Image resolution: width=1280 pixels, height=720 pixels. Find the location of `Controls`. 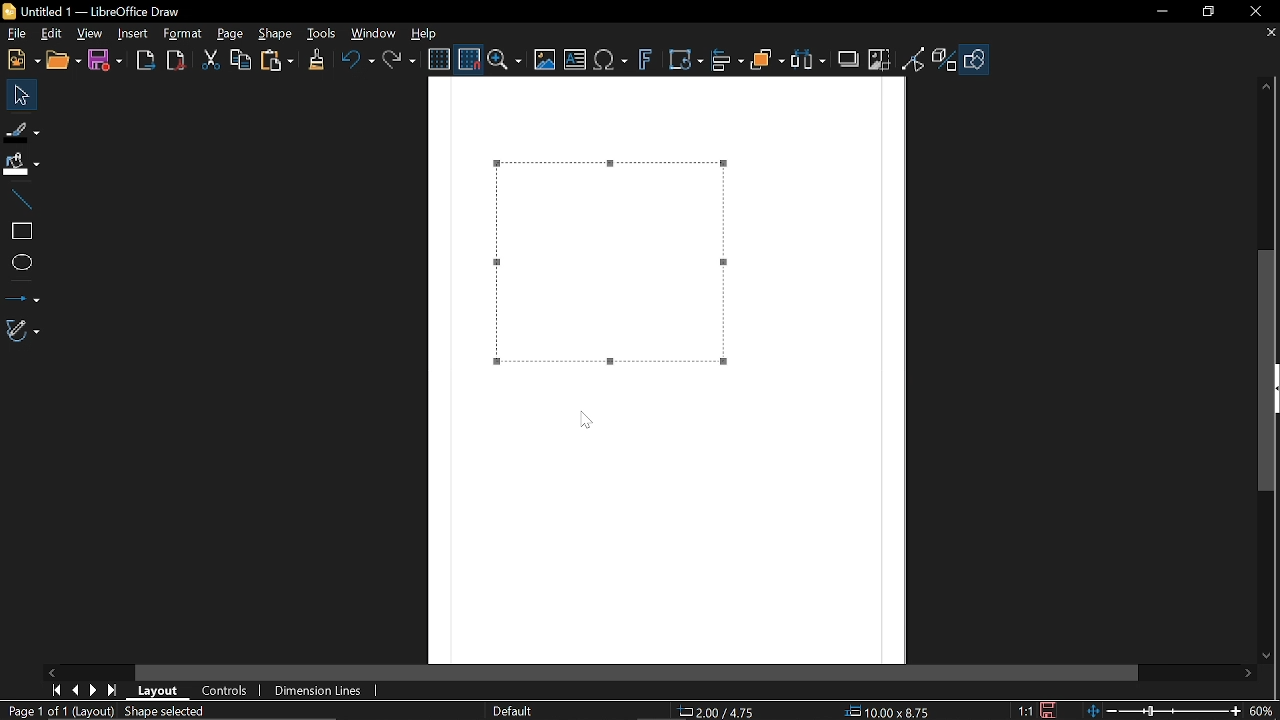

Controls is located at coordinates (225, 691).